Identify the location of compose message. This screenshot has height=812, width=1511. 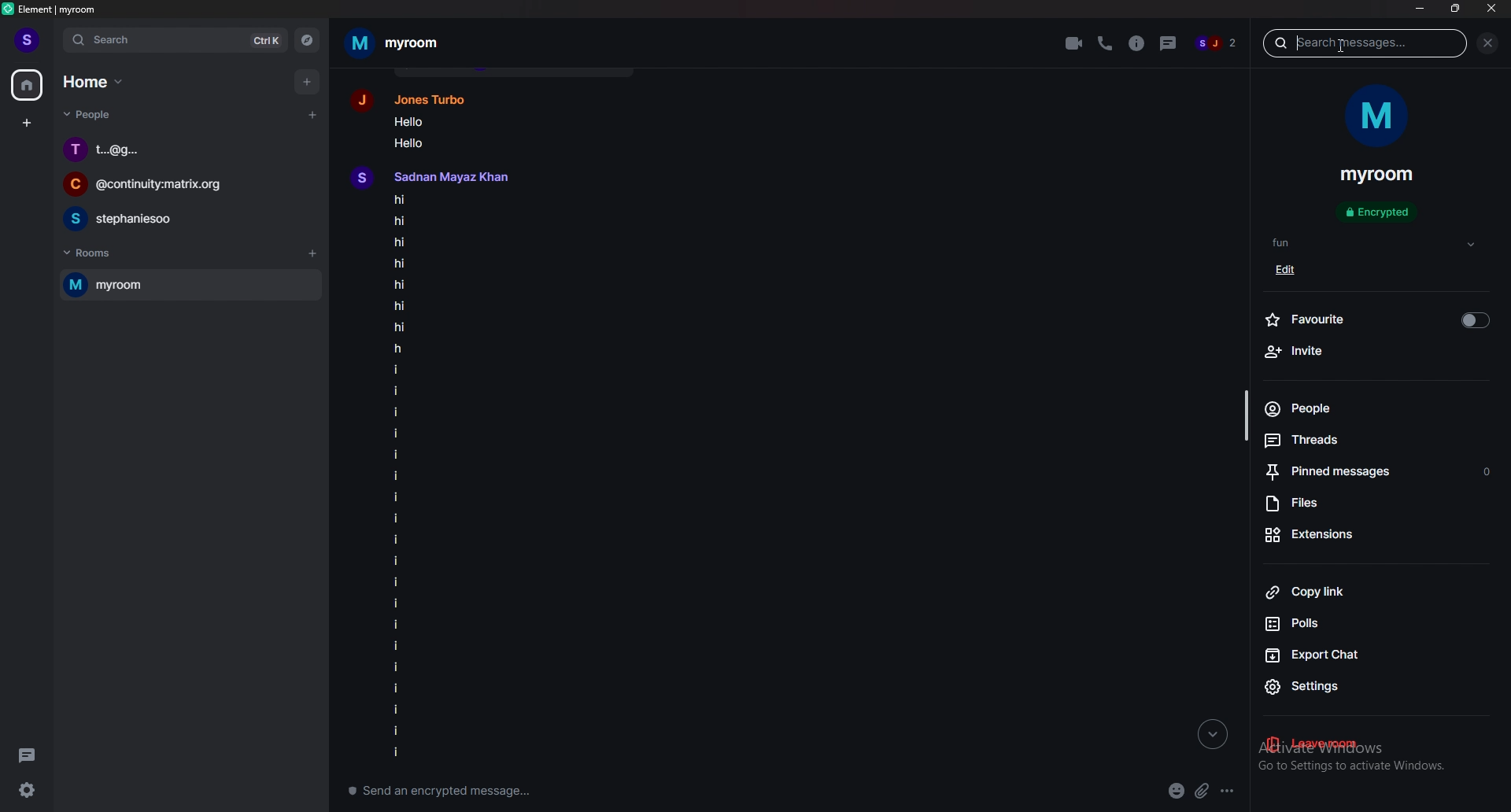
(571, 789).